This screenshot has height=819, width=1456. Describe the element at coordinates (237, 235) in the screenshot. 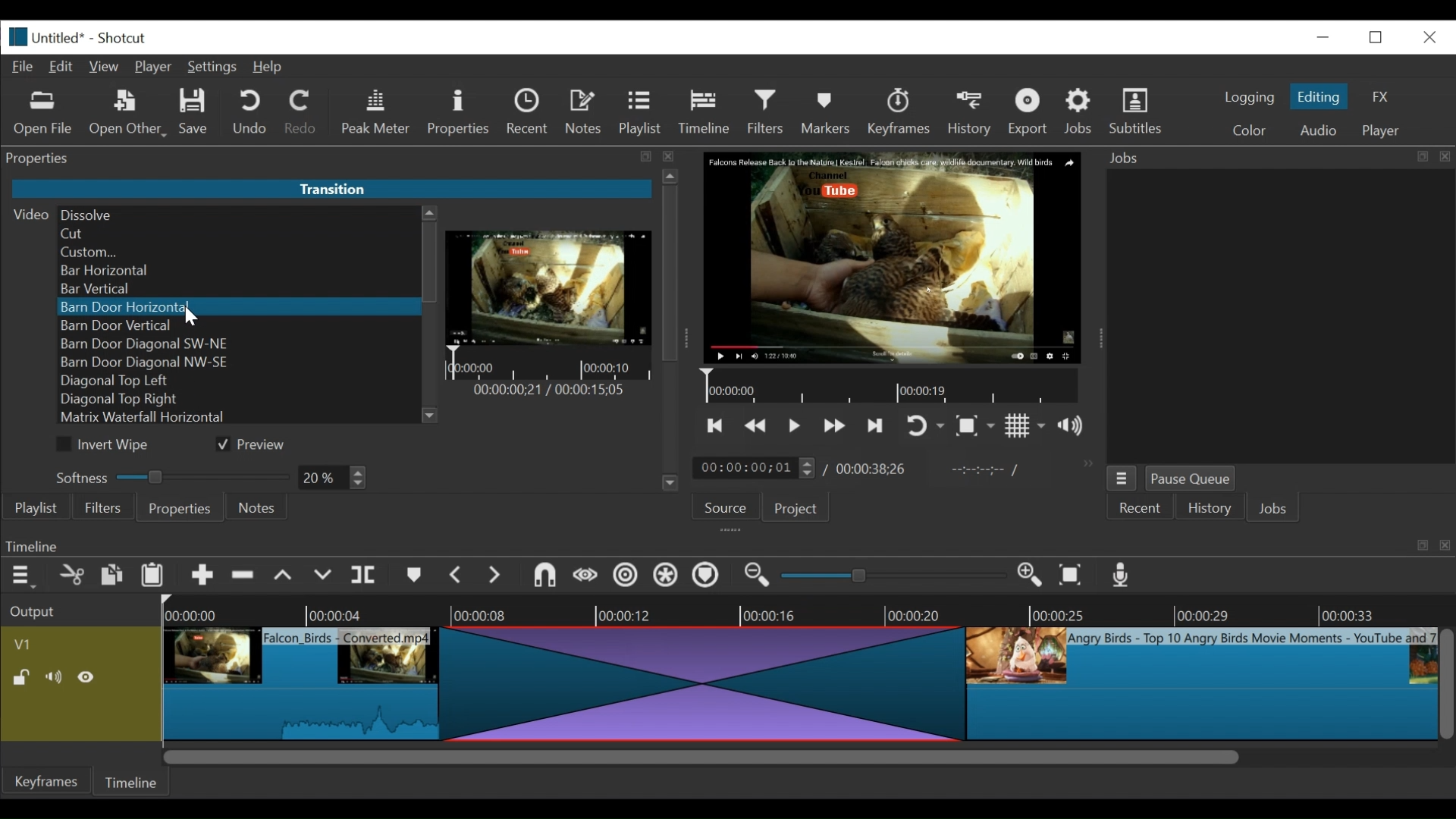

I see `Cut` at that location.